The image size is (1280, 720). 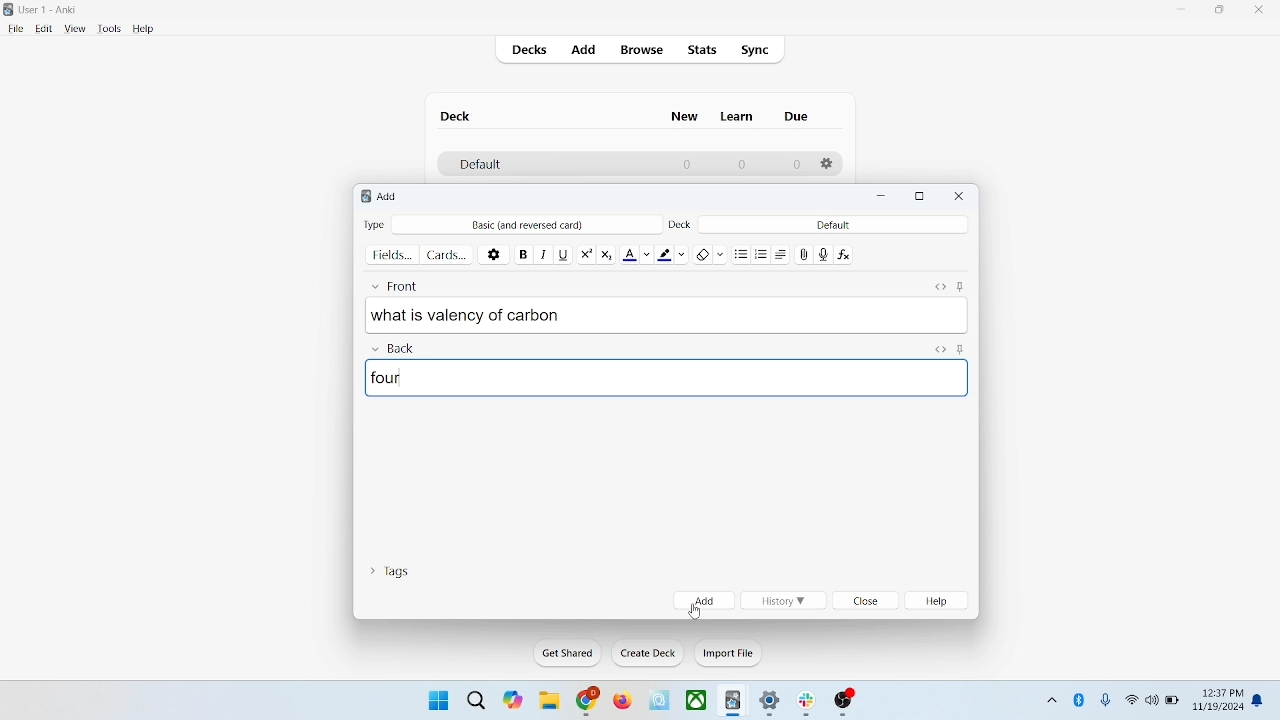 I want to click on close, so click(x=867, y=602).